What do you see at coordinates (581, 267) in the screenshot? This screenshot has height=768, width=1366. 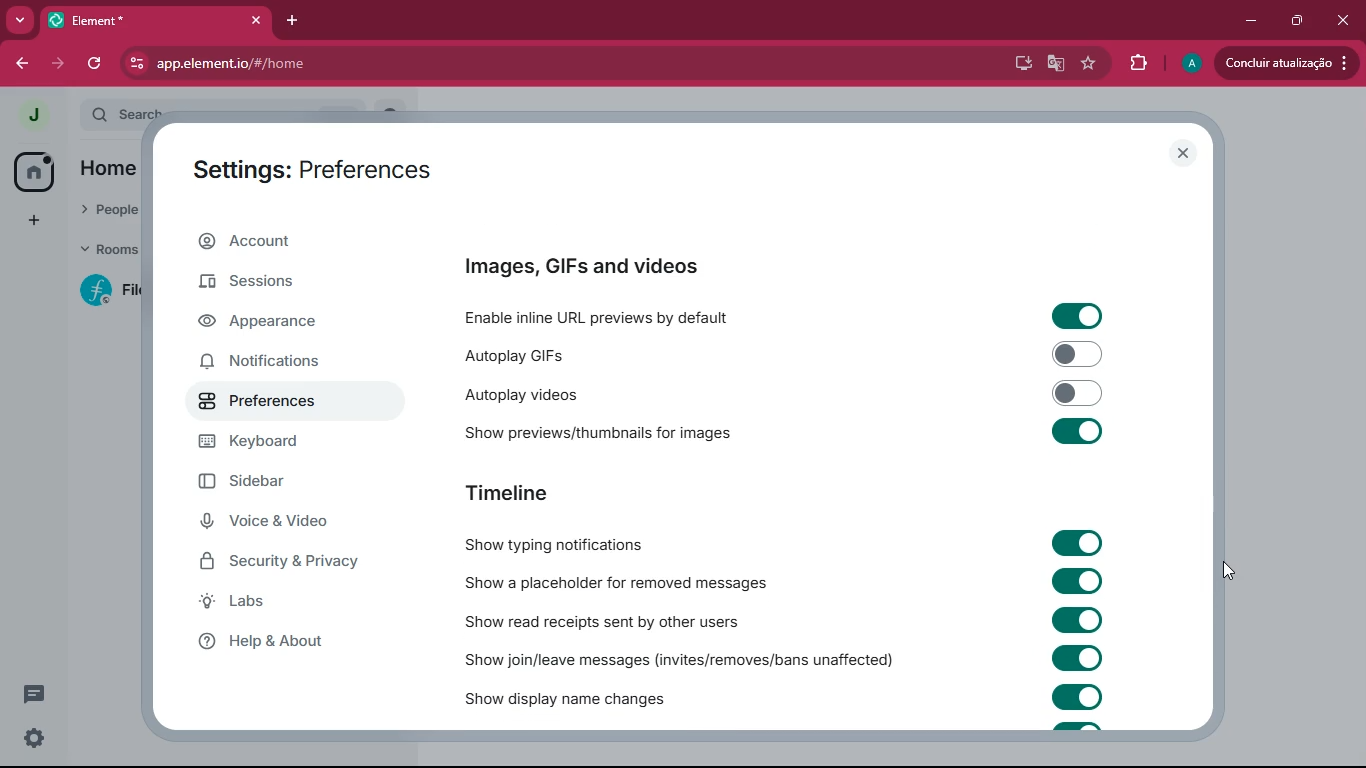 I see `images, GIFs and videos` at bounding box center [581, 267].